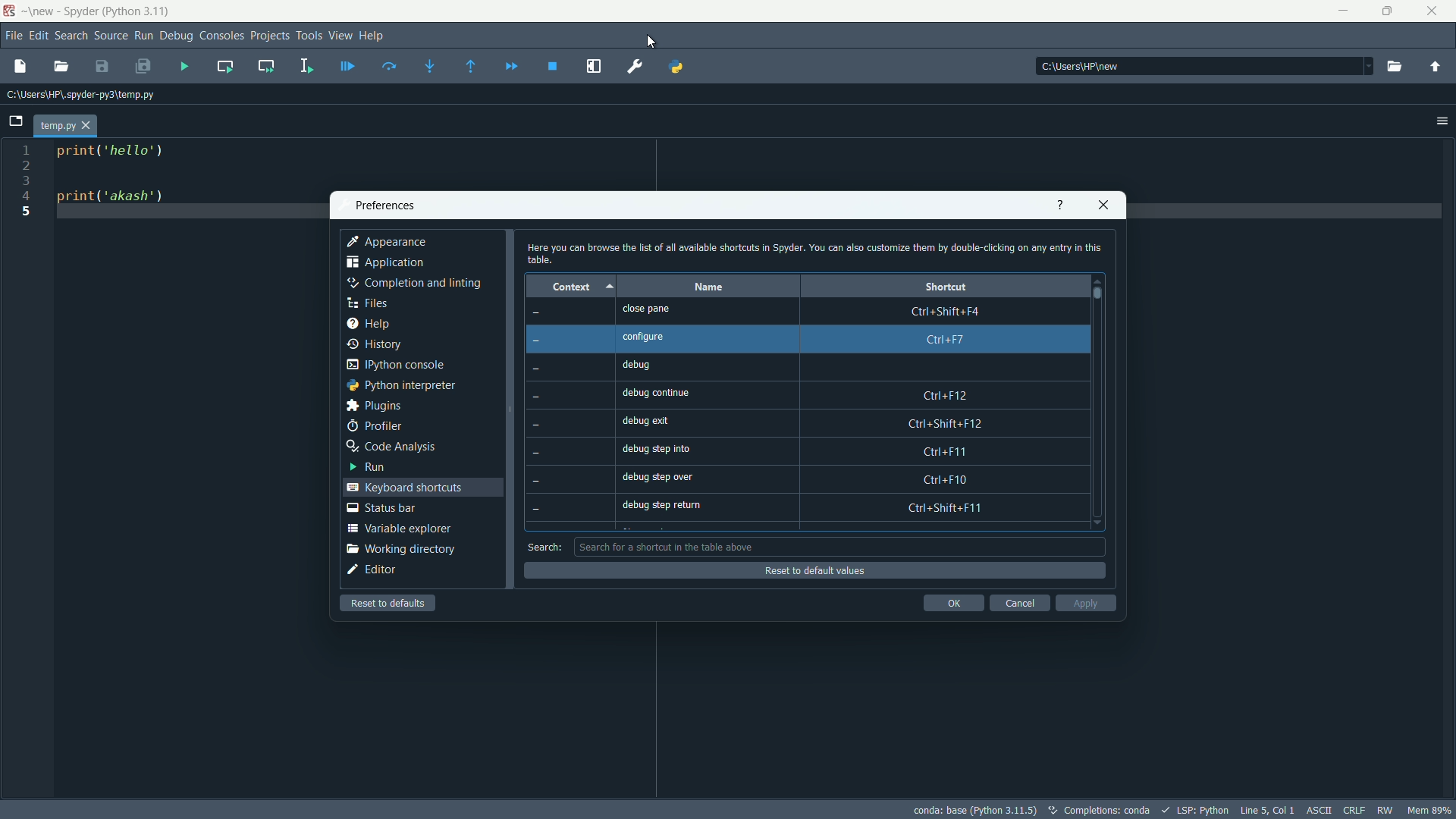  Describe the element at coordinates (184, 67) in the screenshot. I see `debug file` at that location.